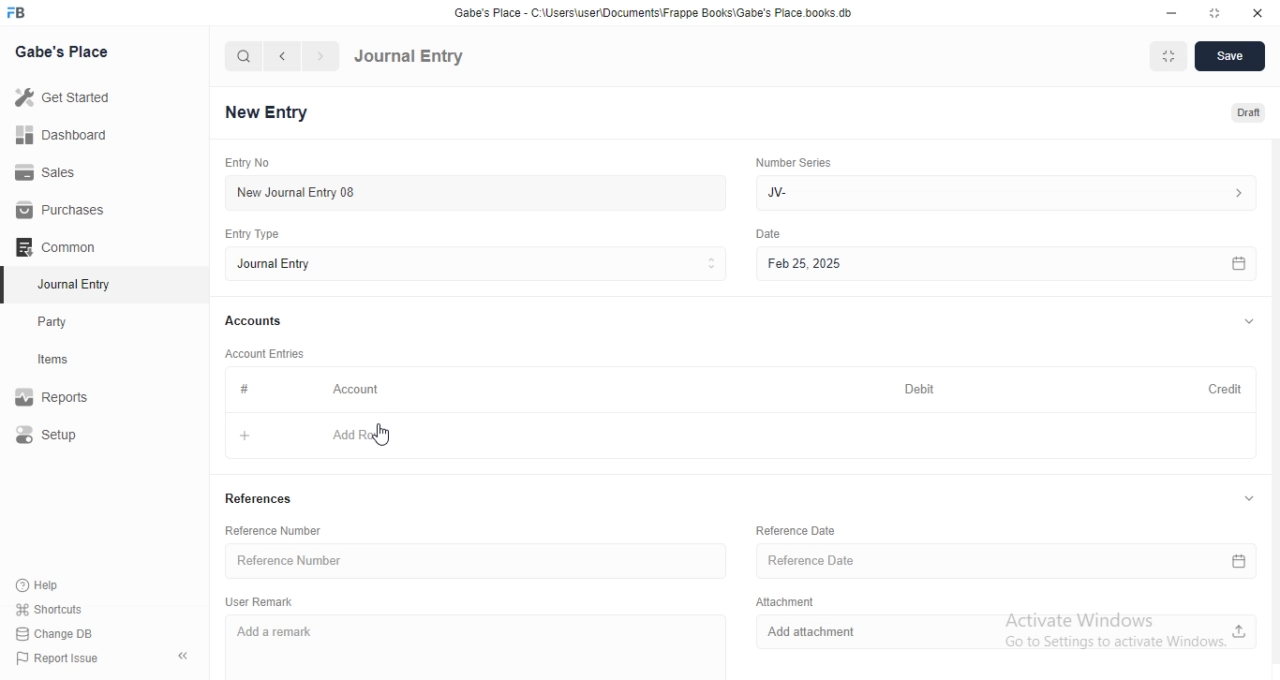  Describe the element at coordinates (68, 101) in the screenshot. I see `Get Started` at that location.